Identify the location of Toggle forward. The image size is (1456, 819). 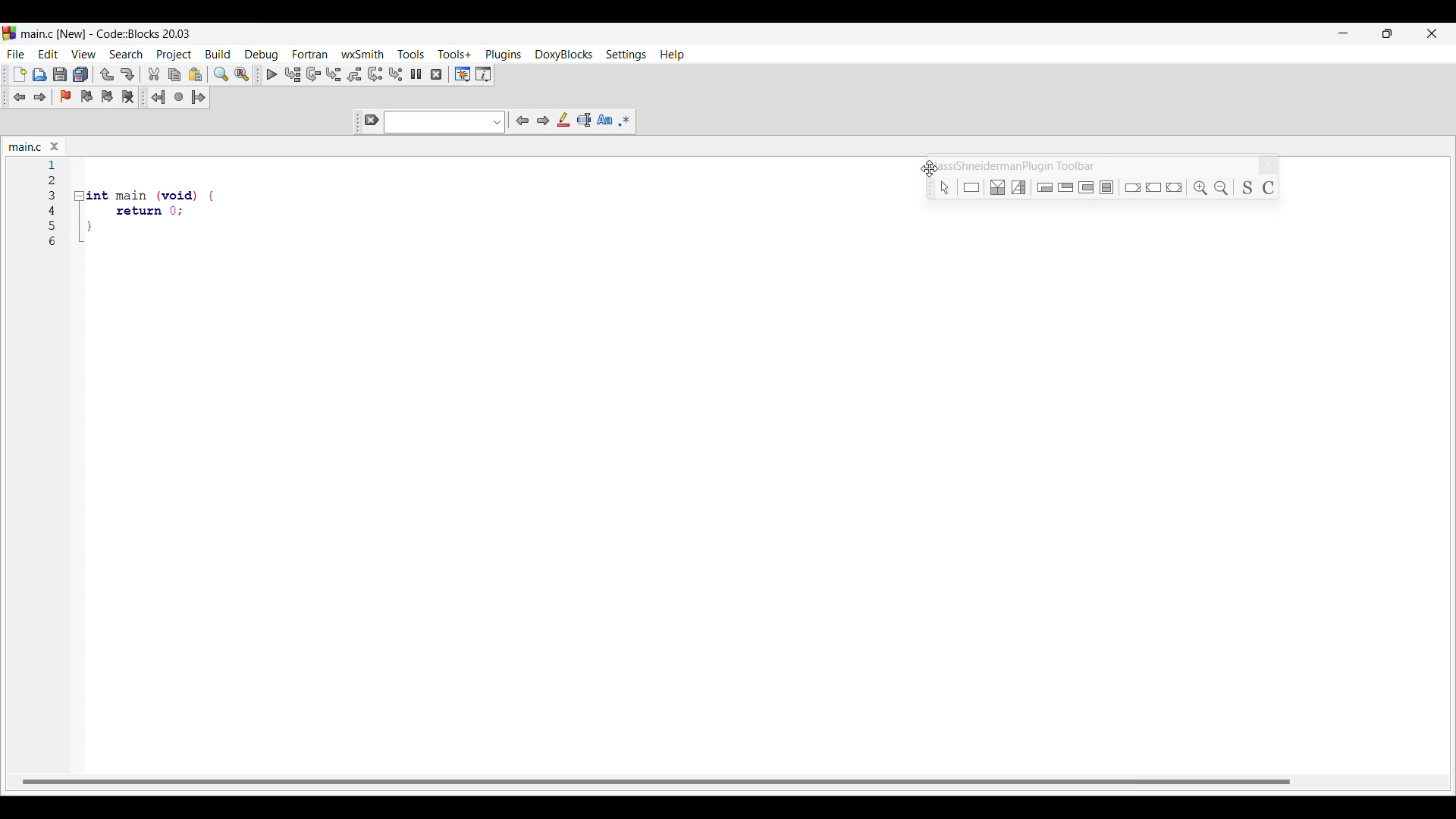
(40, 97).